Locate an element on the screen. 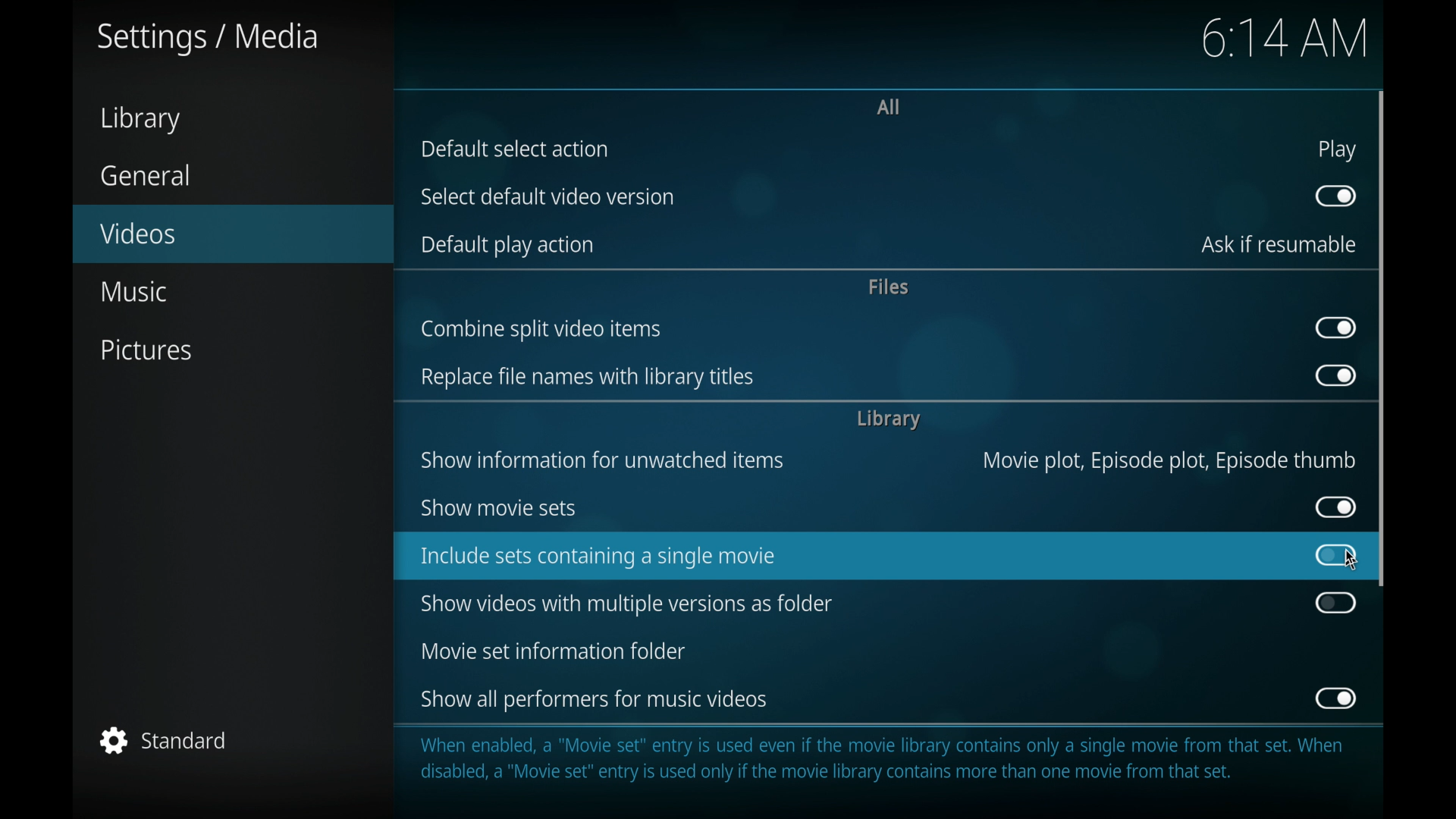 The image size is (1456, 819). all is located at coordinates (891, 106).